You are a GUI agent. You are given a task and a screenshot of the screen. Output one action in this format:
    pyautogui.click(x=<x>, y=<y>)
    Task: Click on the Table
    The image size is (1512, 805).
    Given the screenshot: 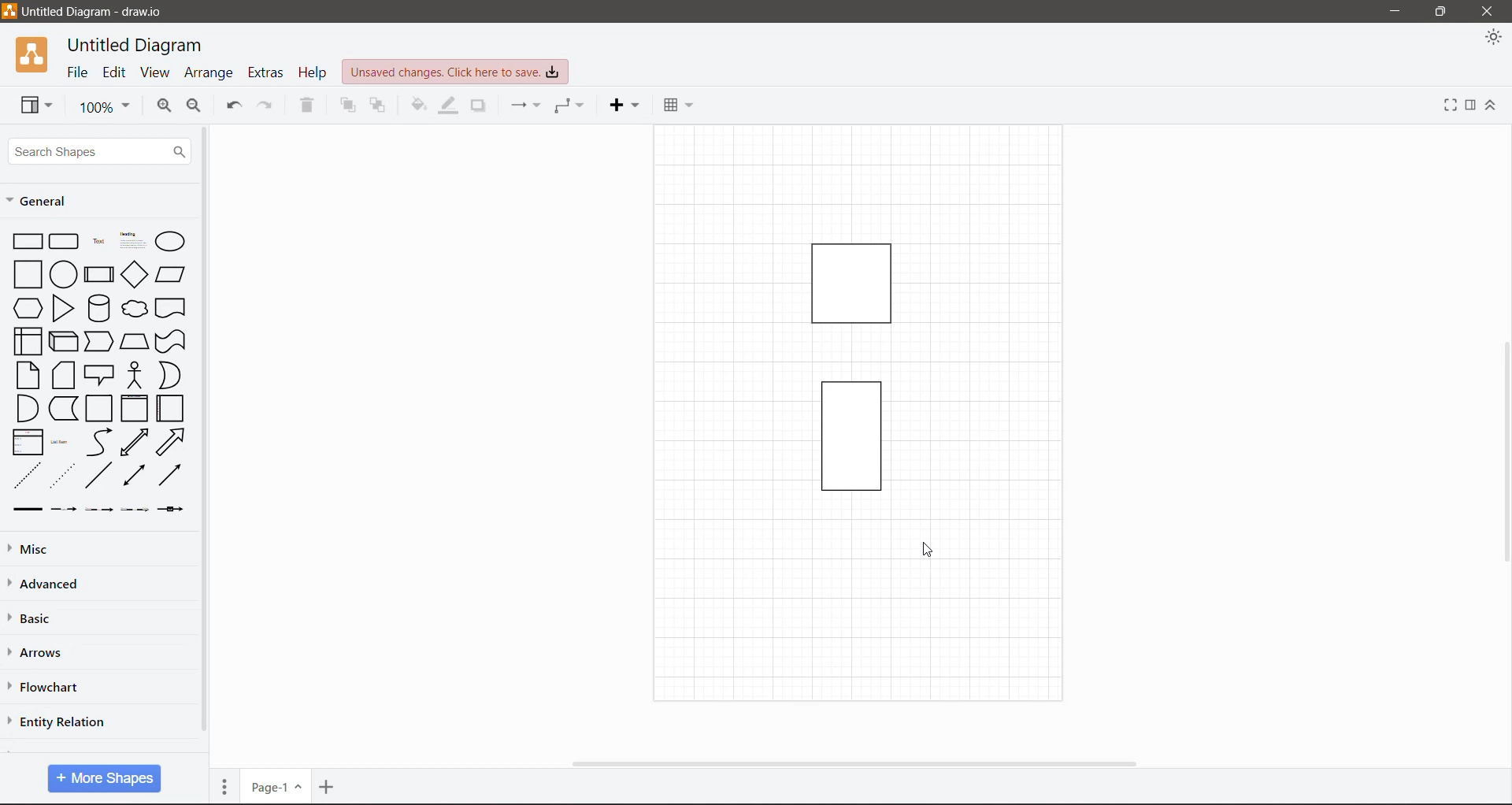 What is the action you would take?
    pyautogui.click(x=678, y=104)
    